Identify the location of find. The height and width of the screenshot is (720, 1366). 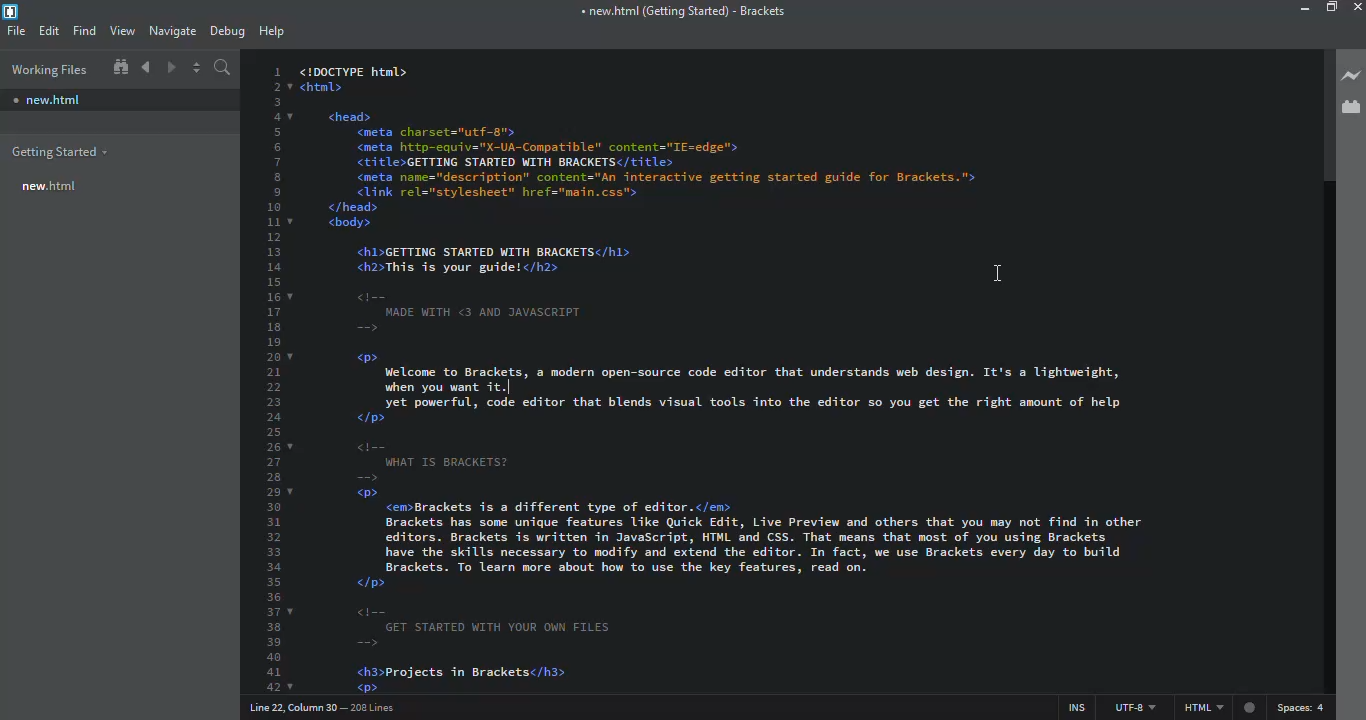
(84, 30).